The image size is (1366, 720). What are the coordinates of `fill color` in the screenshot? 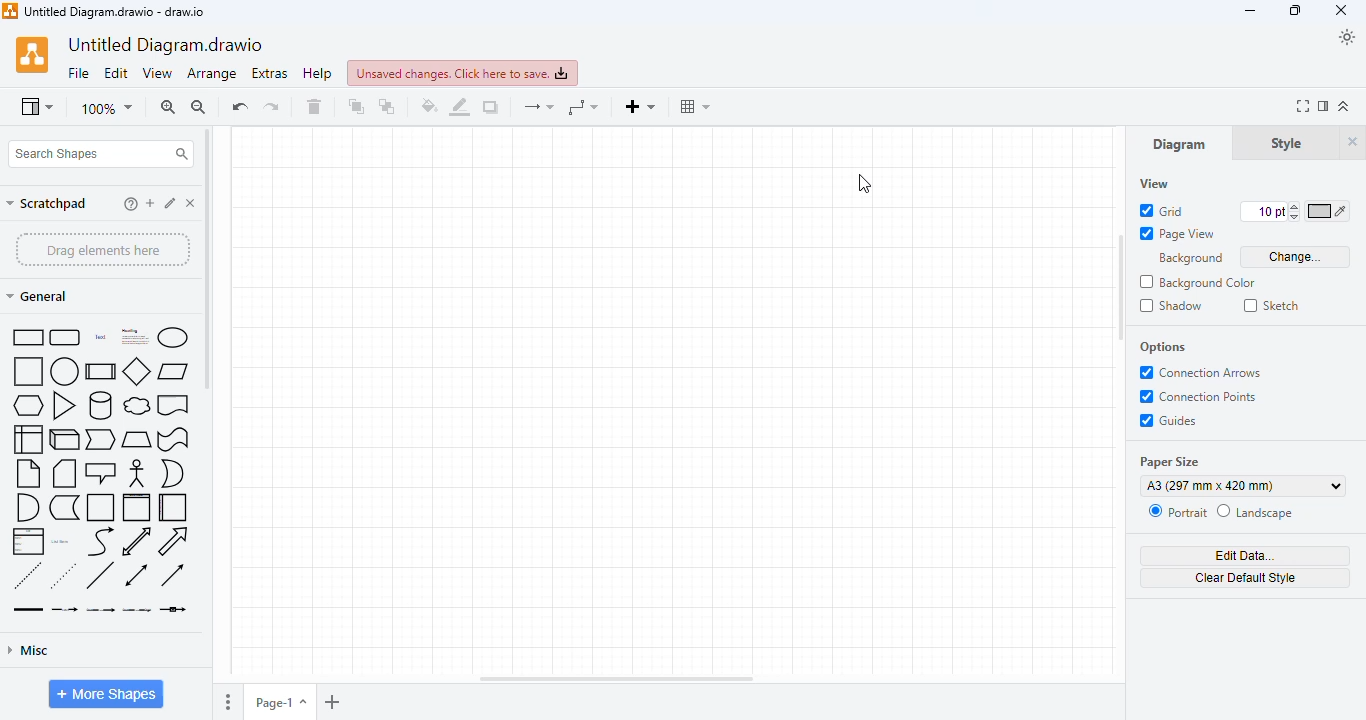 It's located at (429, 105).